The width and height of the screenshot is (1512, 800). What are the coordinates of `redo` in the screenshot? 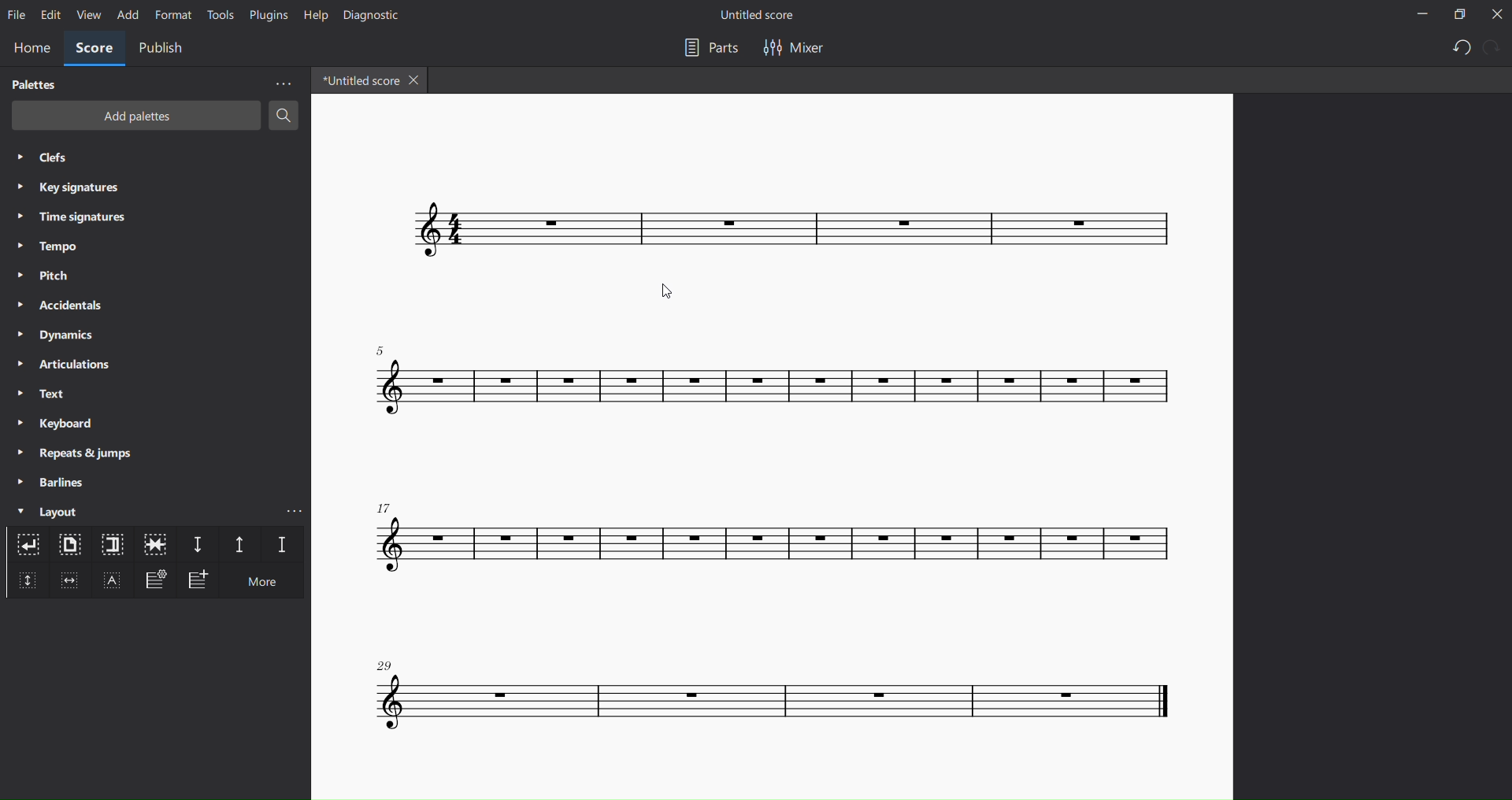 It's located at (1492, 49).